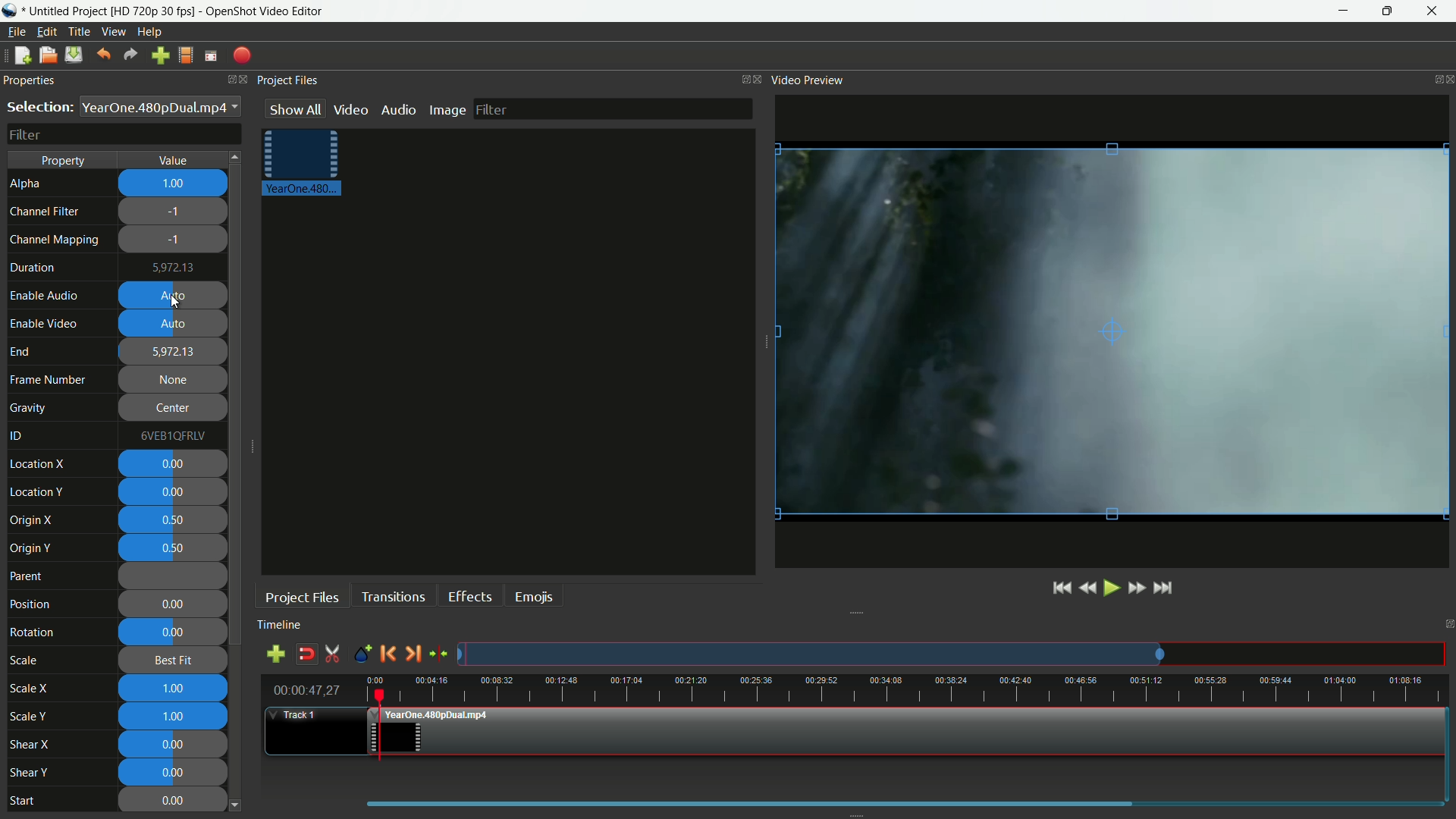 The width and height of the screenshot is (1456, 819). Describe the element at coordinates (174, 298) in the screenshot. I see `auto` at that location.